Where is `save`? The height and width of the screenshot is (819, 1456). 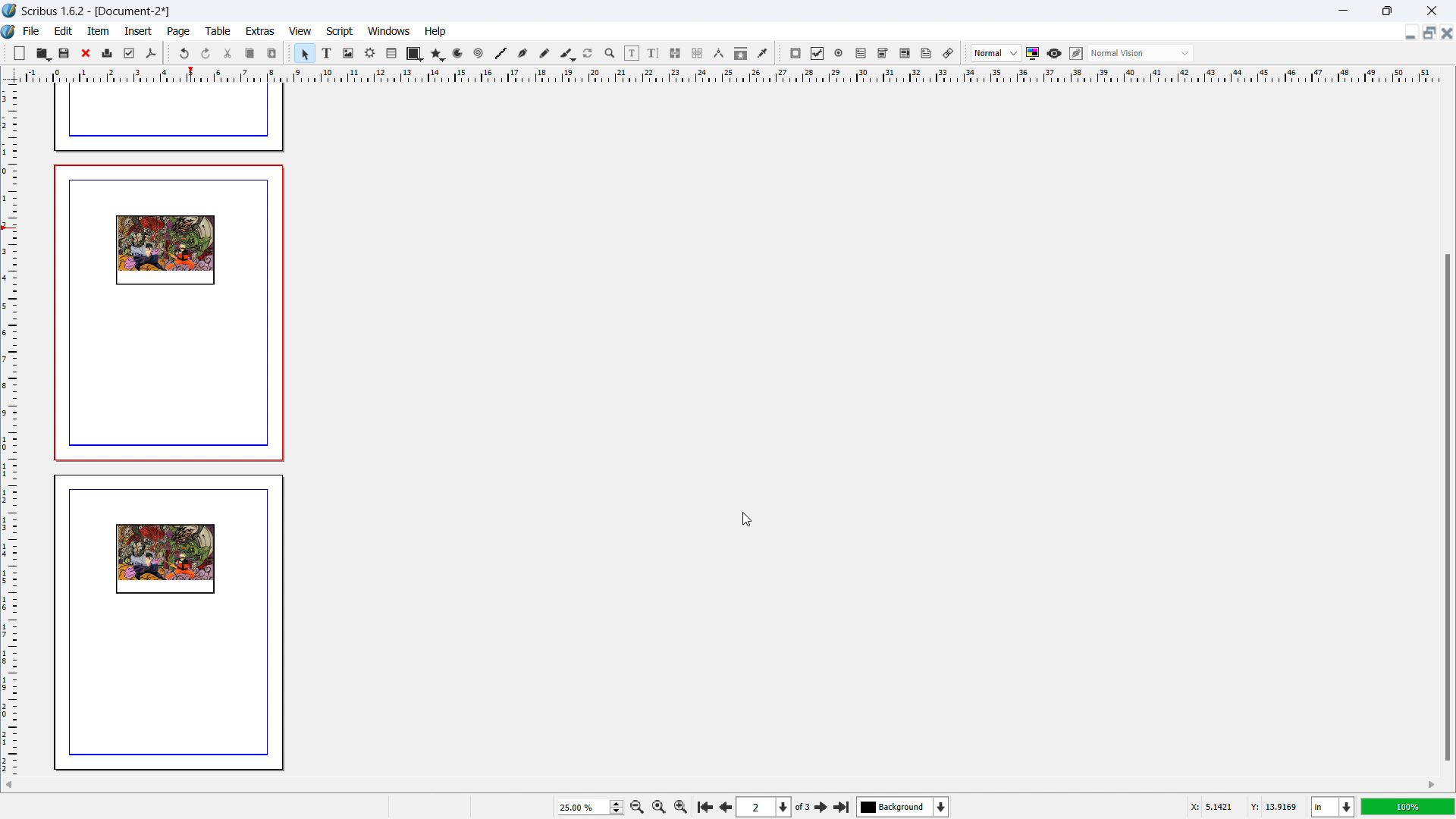
save is located at coordinates (65, 52).